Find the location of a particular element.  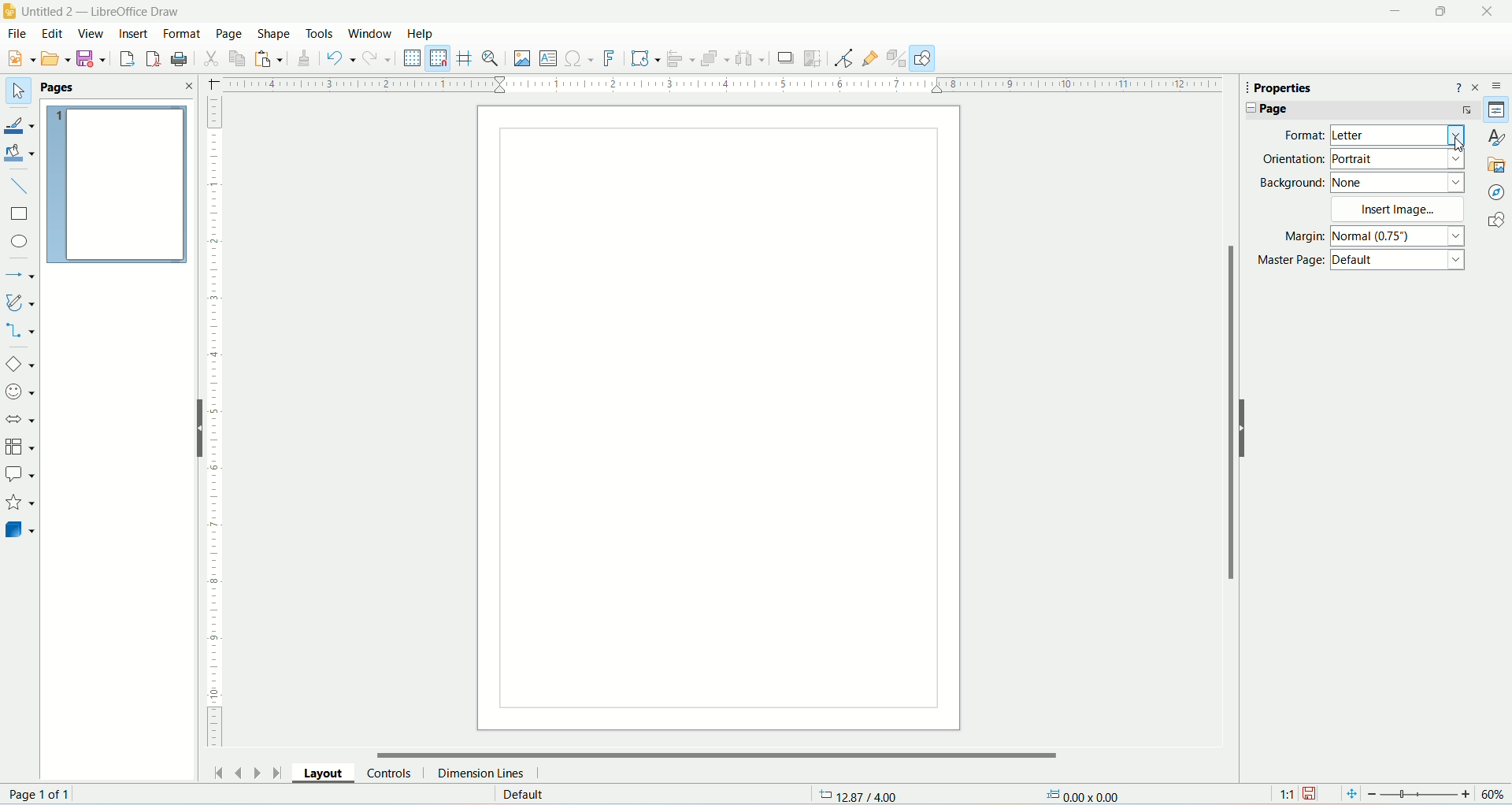

rectangle is located at coordinates (22, 216).